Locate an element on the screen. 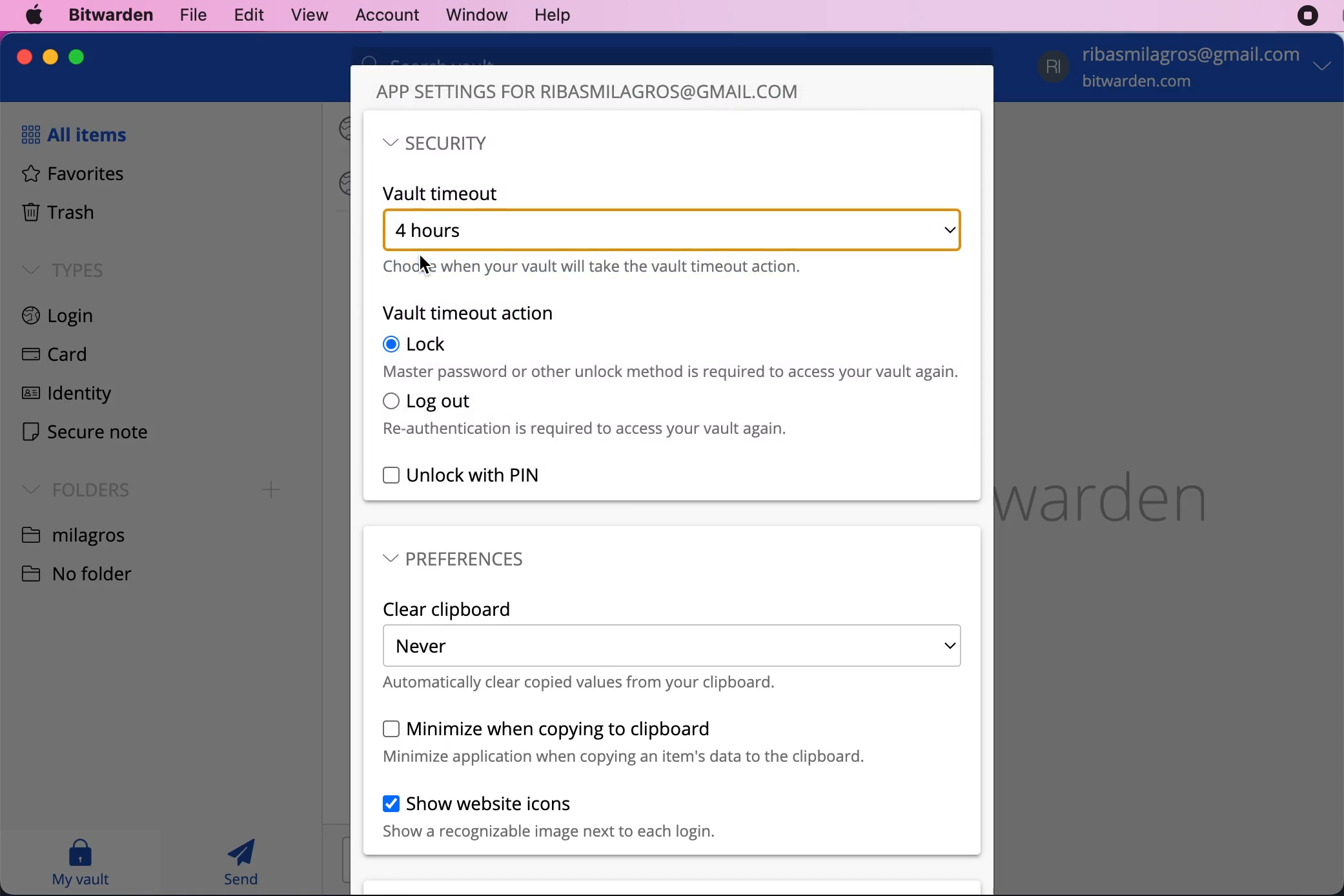 Image resolution: width=1344 pixels, height=896 pixels. mac logo is located at coordinates (36, 15).